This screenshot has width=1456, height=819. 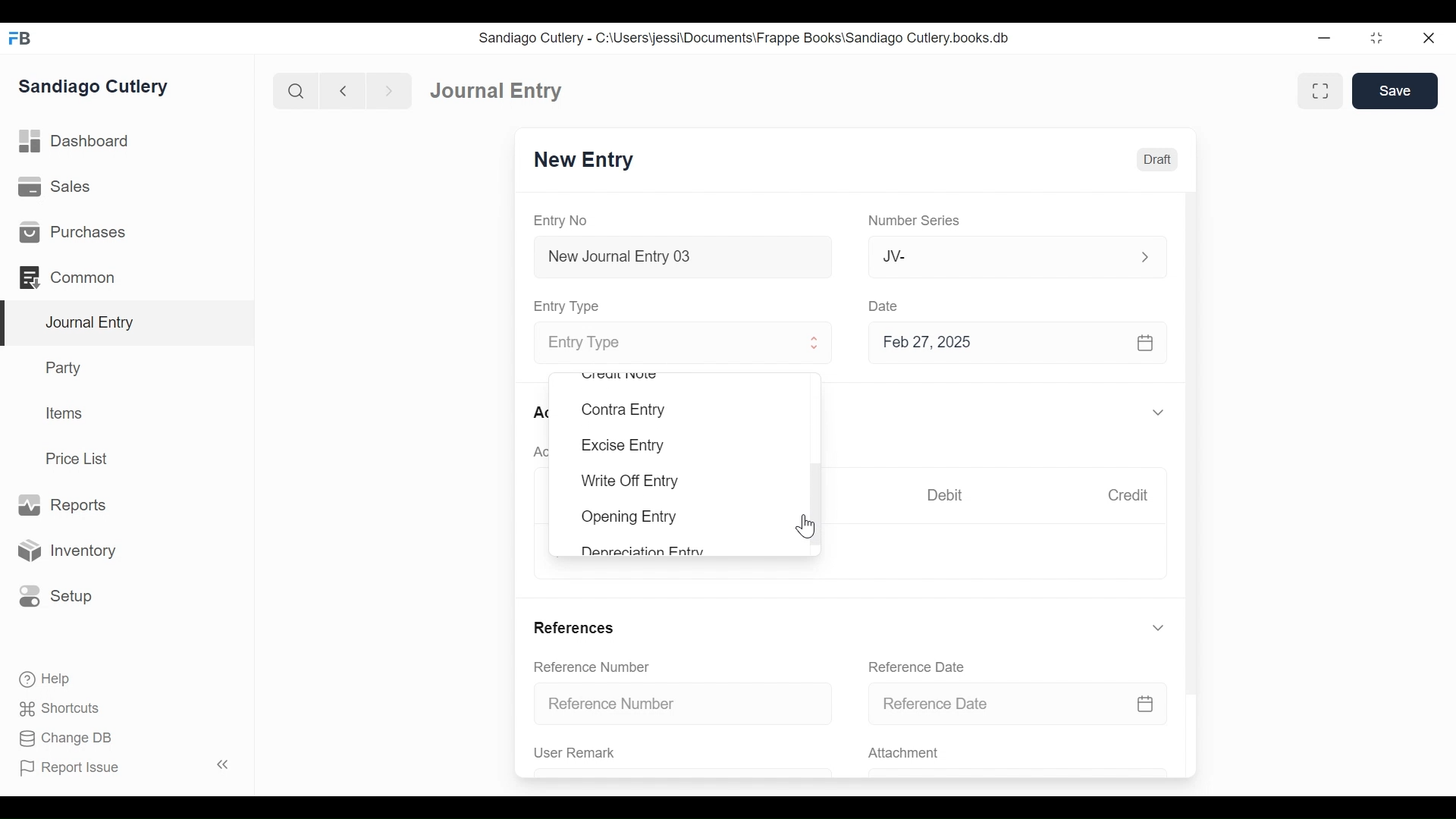 What do you see at coordinates (990, 256) in the screenshot?
I see `JV-` at bounding box center [990, 256].